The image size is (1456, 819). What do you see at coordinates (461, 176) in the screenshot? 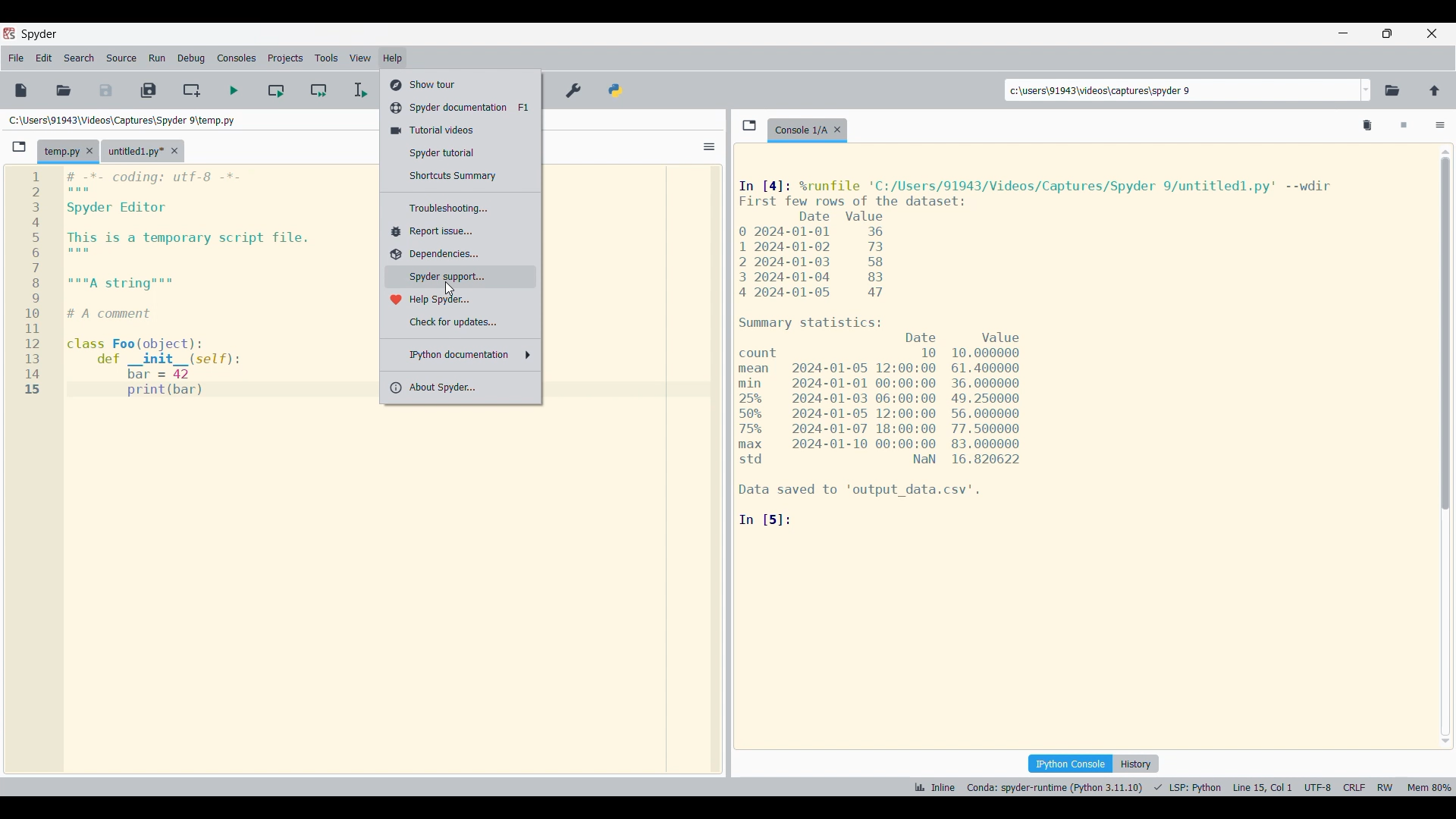
I see `Shortcuts summary` at bounding box center [461, 176].